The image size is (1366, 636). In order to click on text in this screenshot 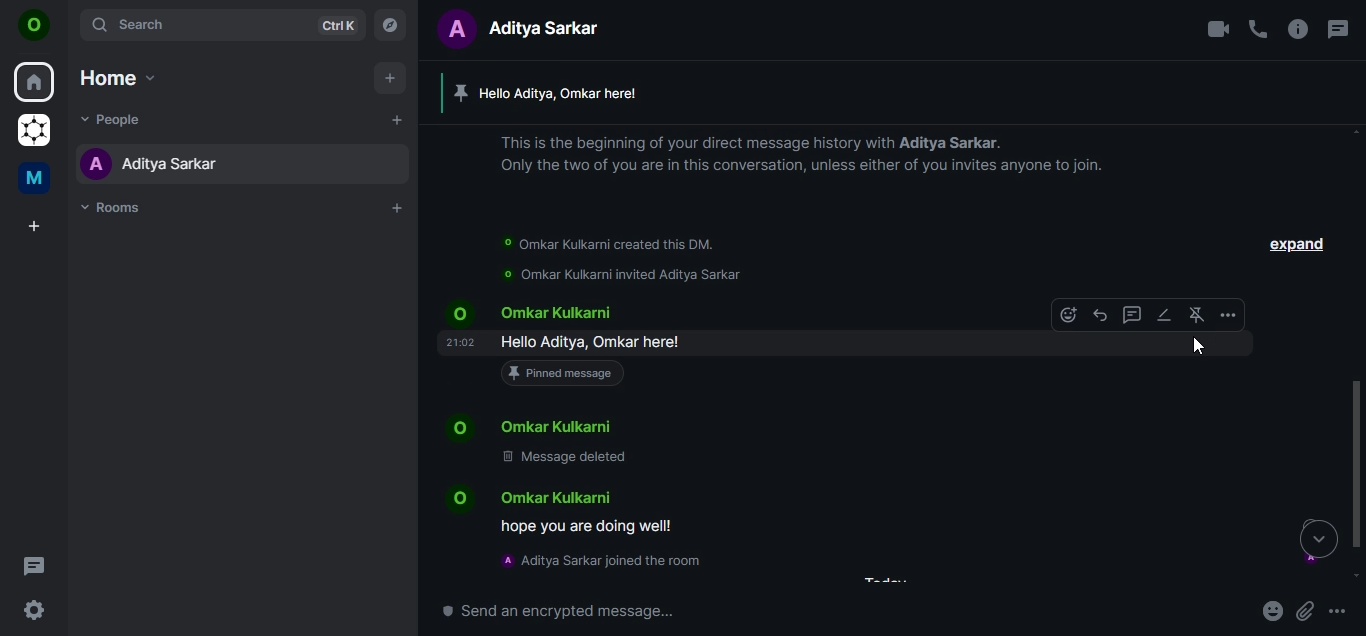, I will do `click(525, 28)`.